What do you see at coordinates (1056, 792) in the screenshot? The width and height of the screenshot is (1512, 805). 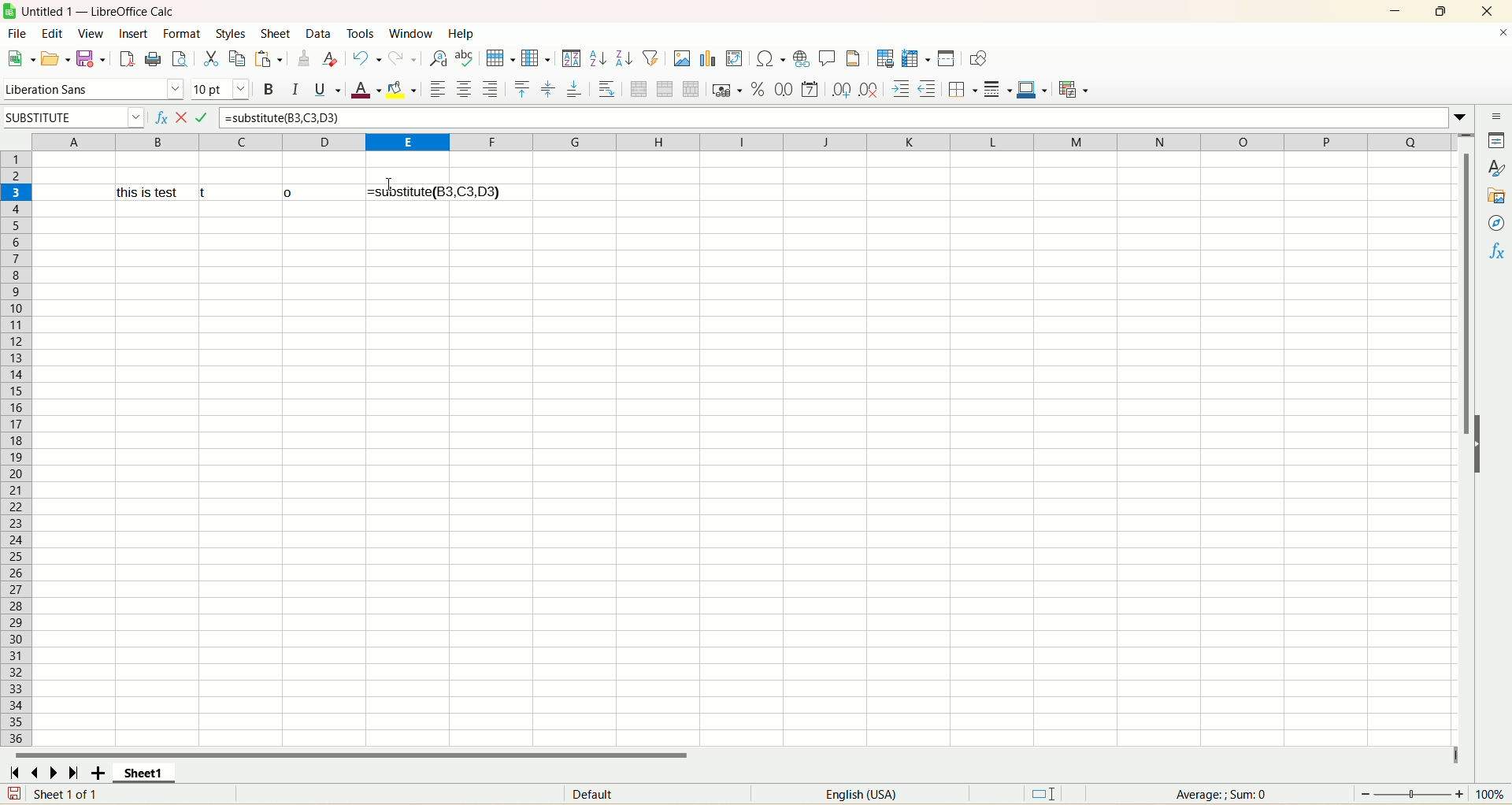 I see `standard selection` at bounding box center [1056, 792].